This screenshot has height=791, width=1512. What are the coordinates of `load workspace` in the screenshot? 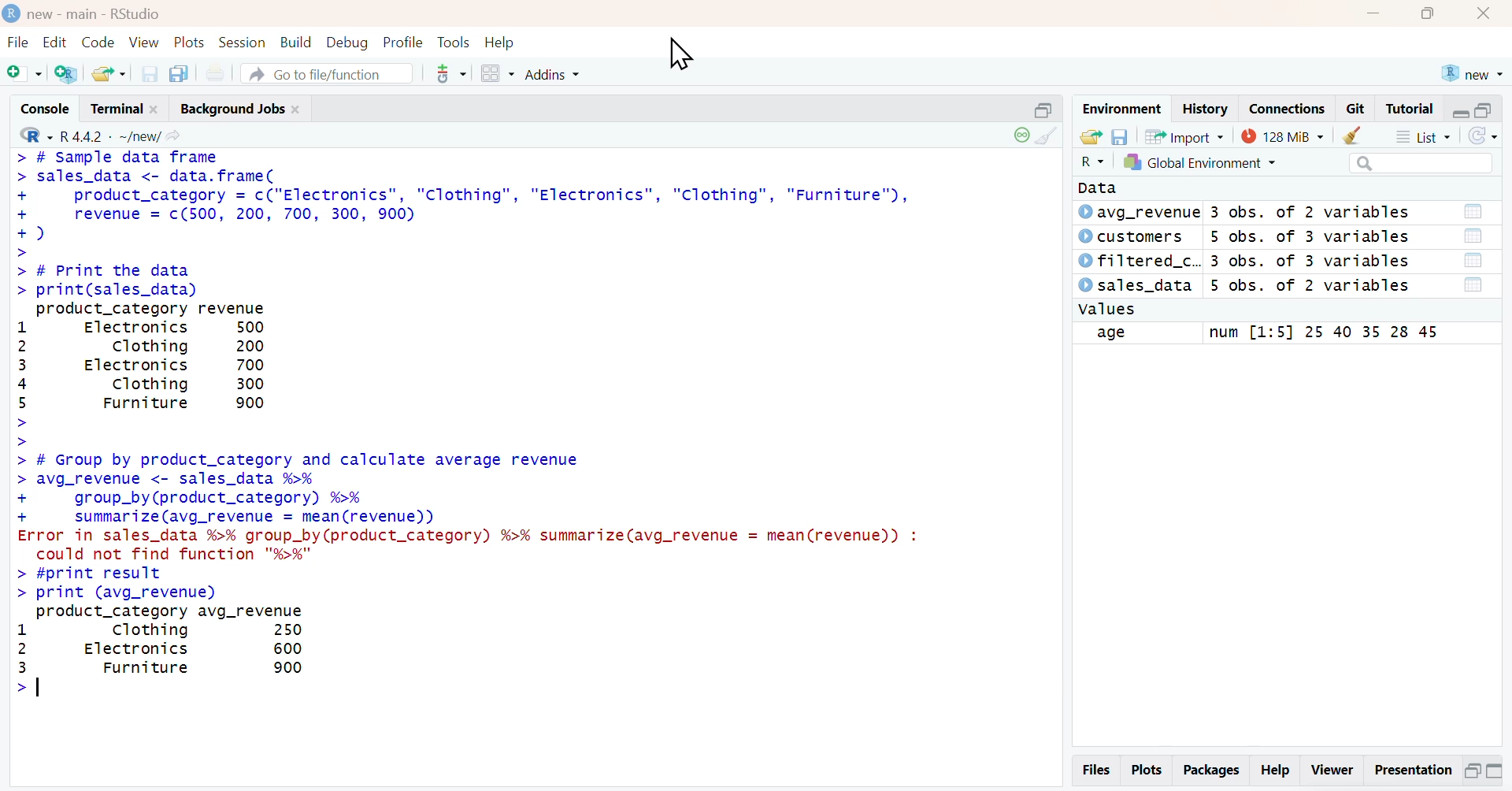 It's located at (1091, 137).